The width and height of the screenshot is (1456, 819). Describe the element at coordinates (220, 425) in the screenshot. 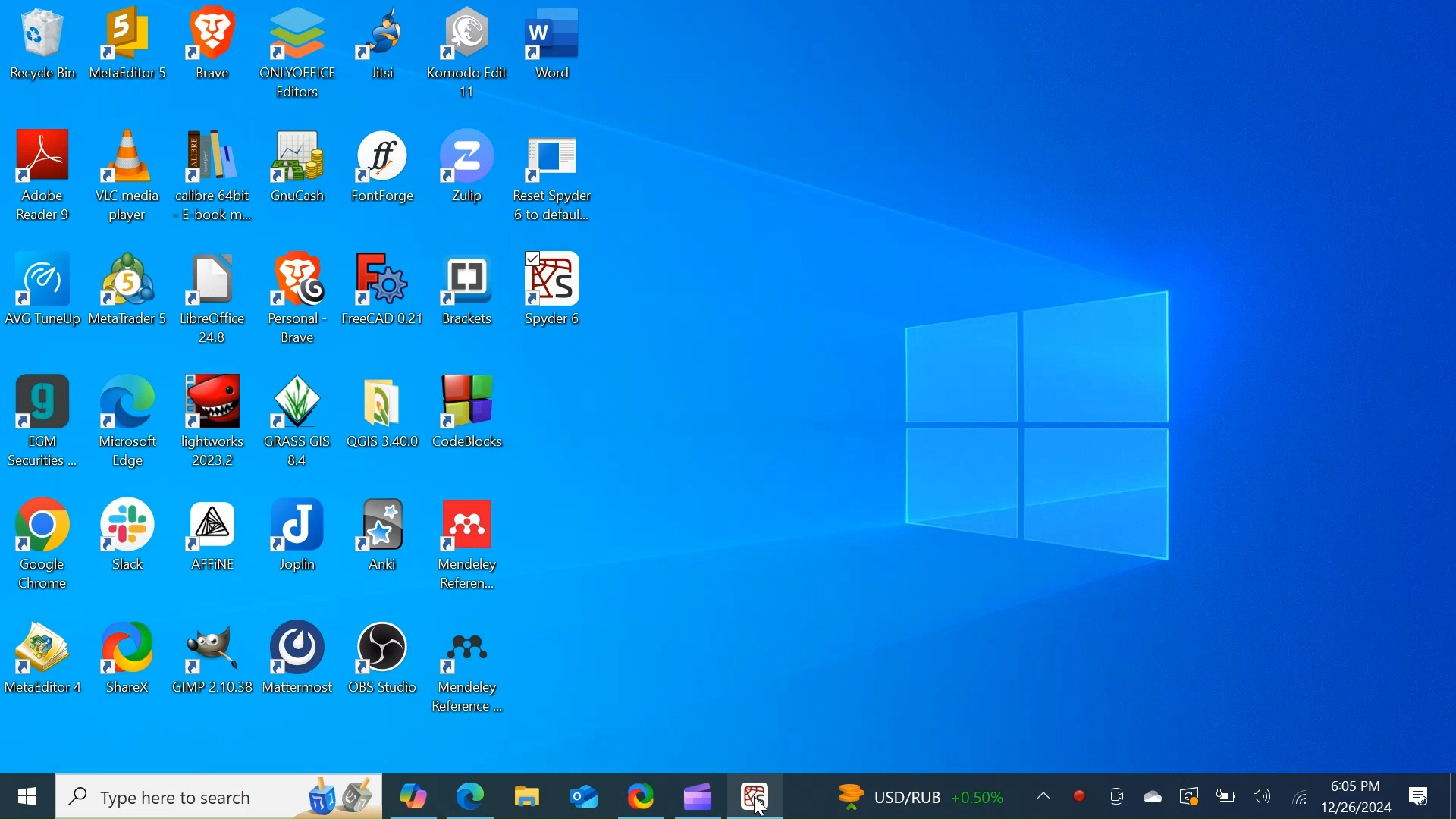

I see `Lightworks` at that location.